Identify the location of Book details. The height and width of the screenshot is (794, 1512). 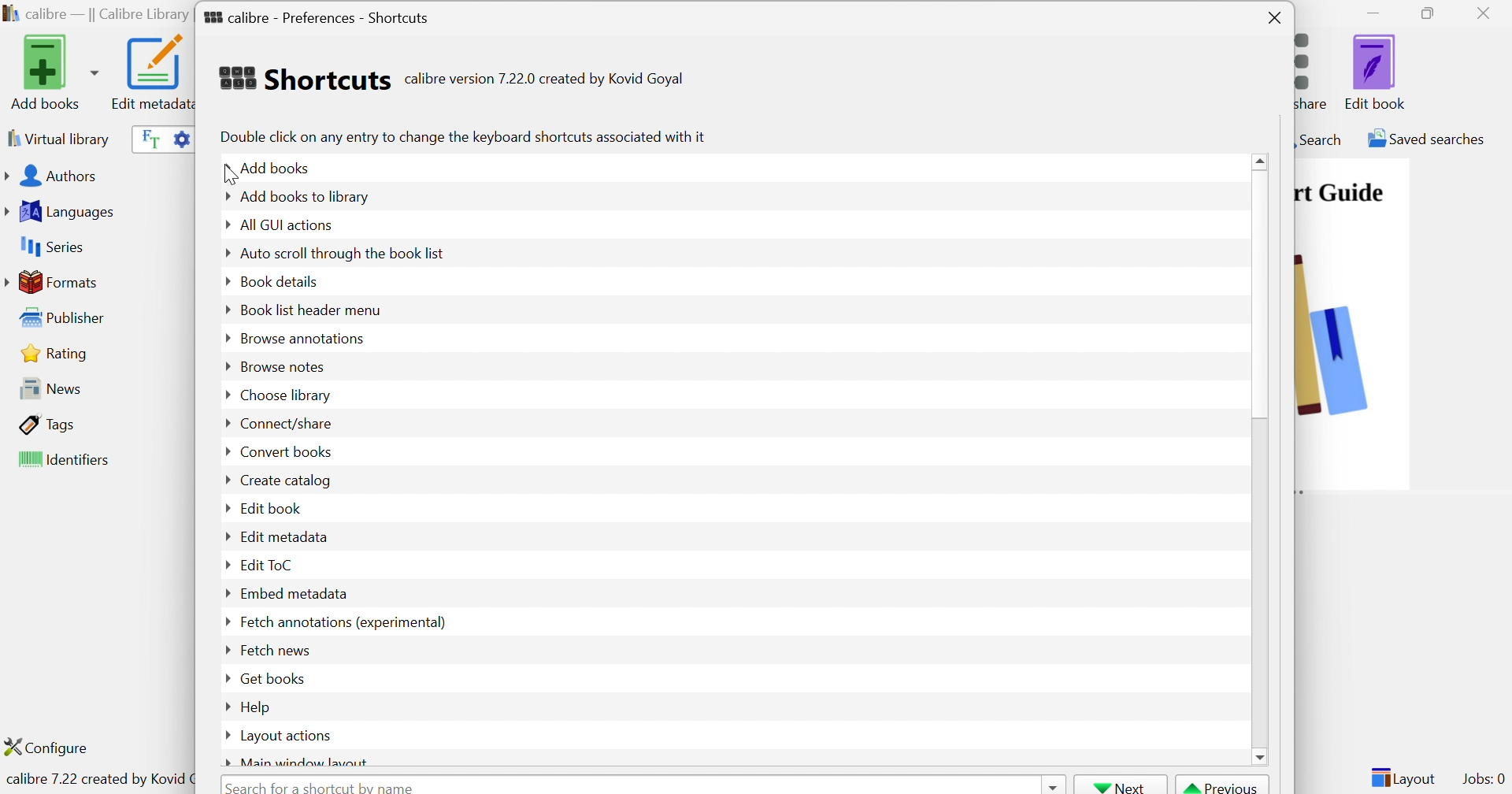
(280, 280).